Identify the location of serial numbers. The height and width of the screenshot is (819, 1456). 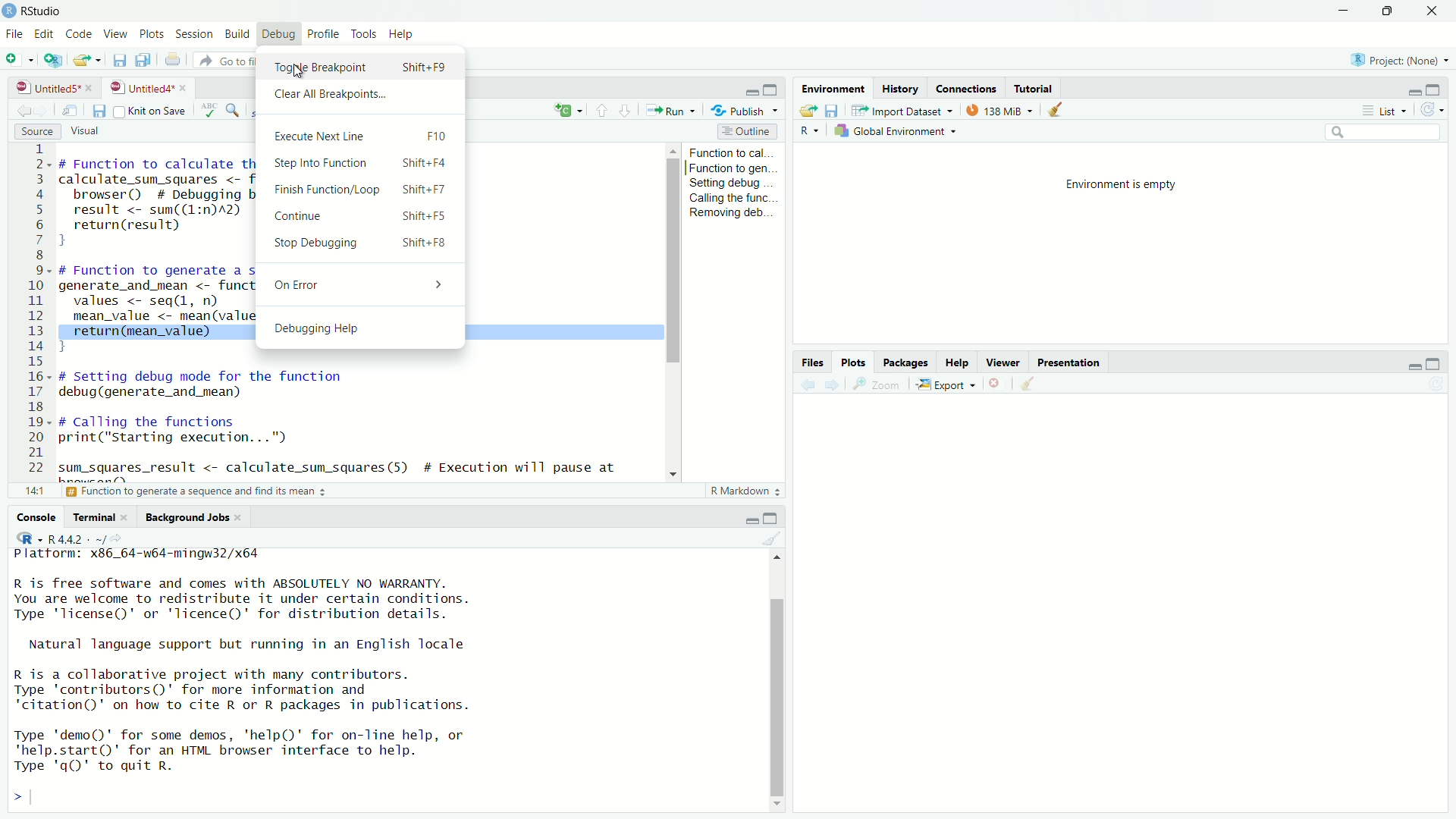
(34, 311).